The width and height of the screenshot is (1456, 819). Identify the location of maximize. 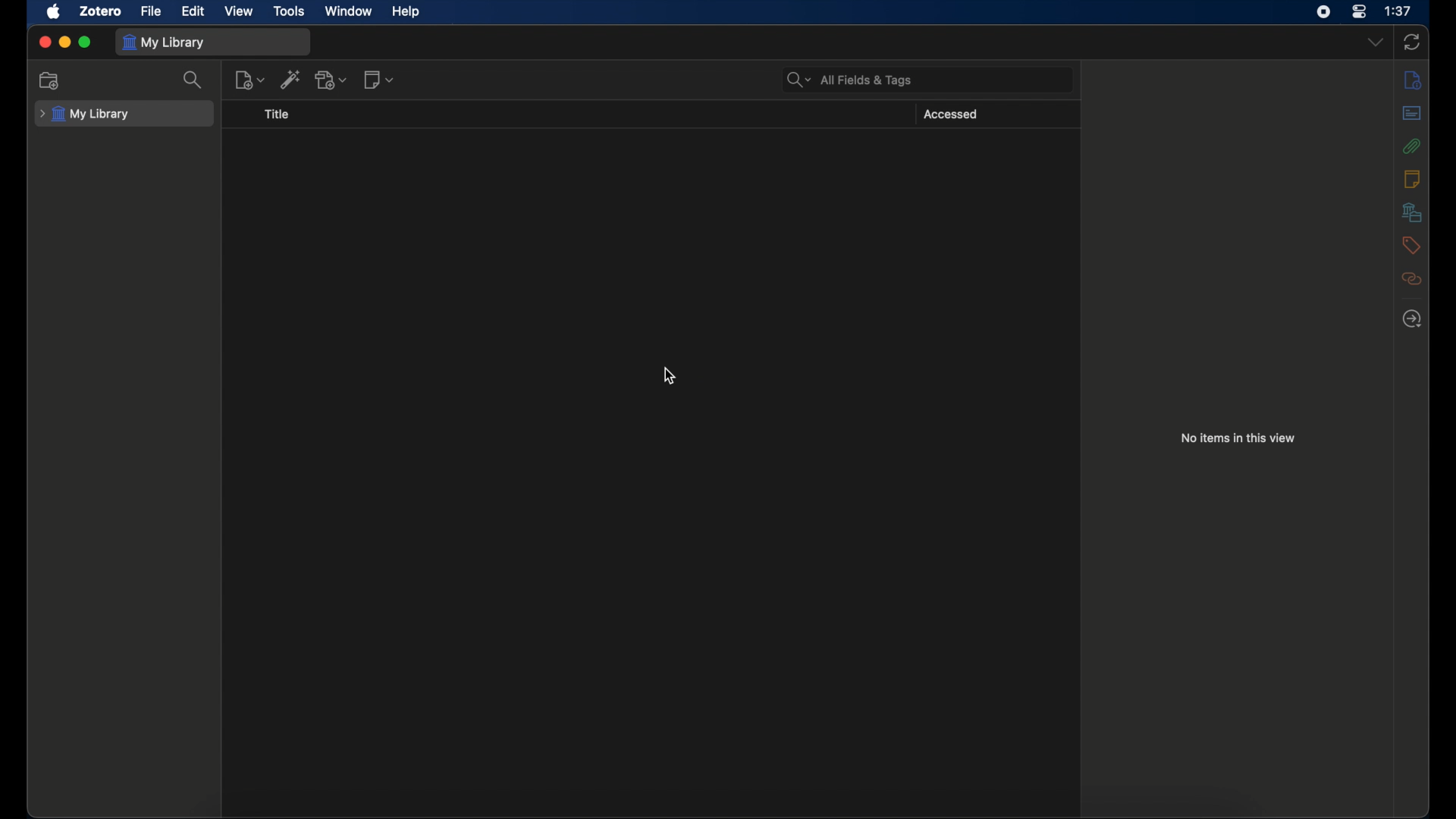
(86, 42).